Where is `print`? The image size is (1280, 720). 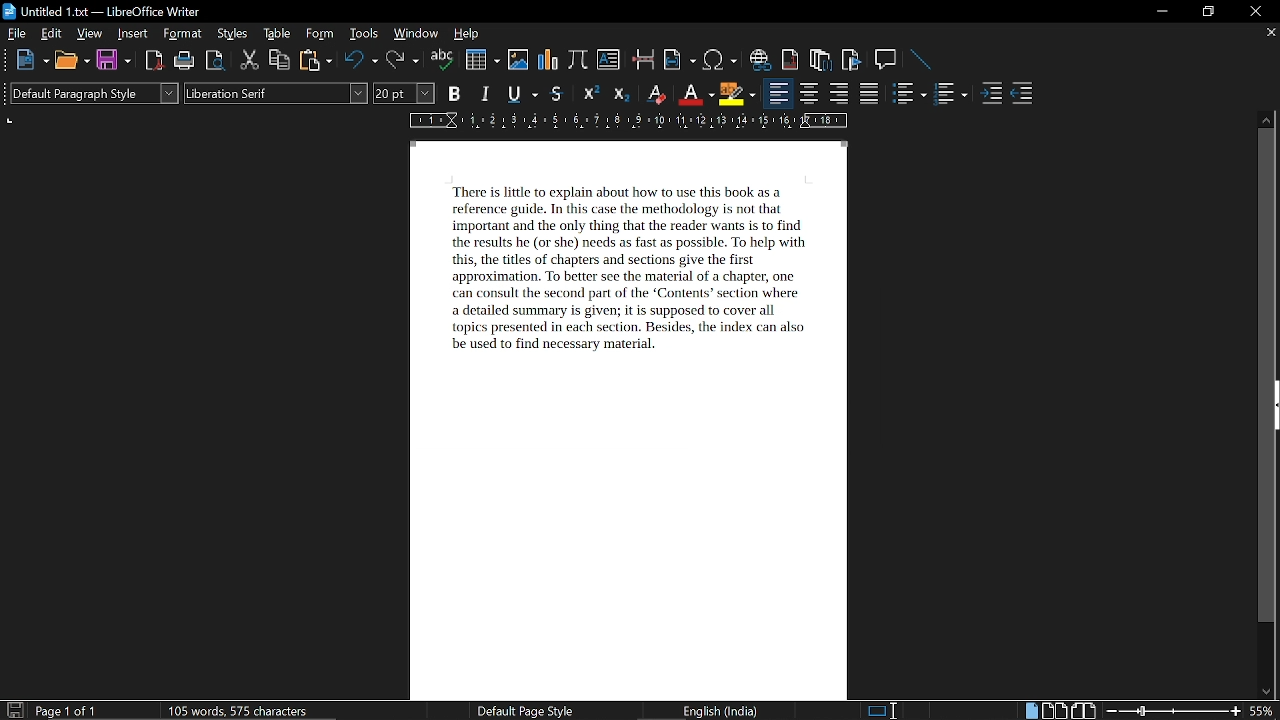
print is located at coordinates (185, 60).